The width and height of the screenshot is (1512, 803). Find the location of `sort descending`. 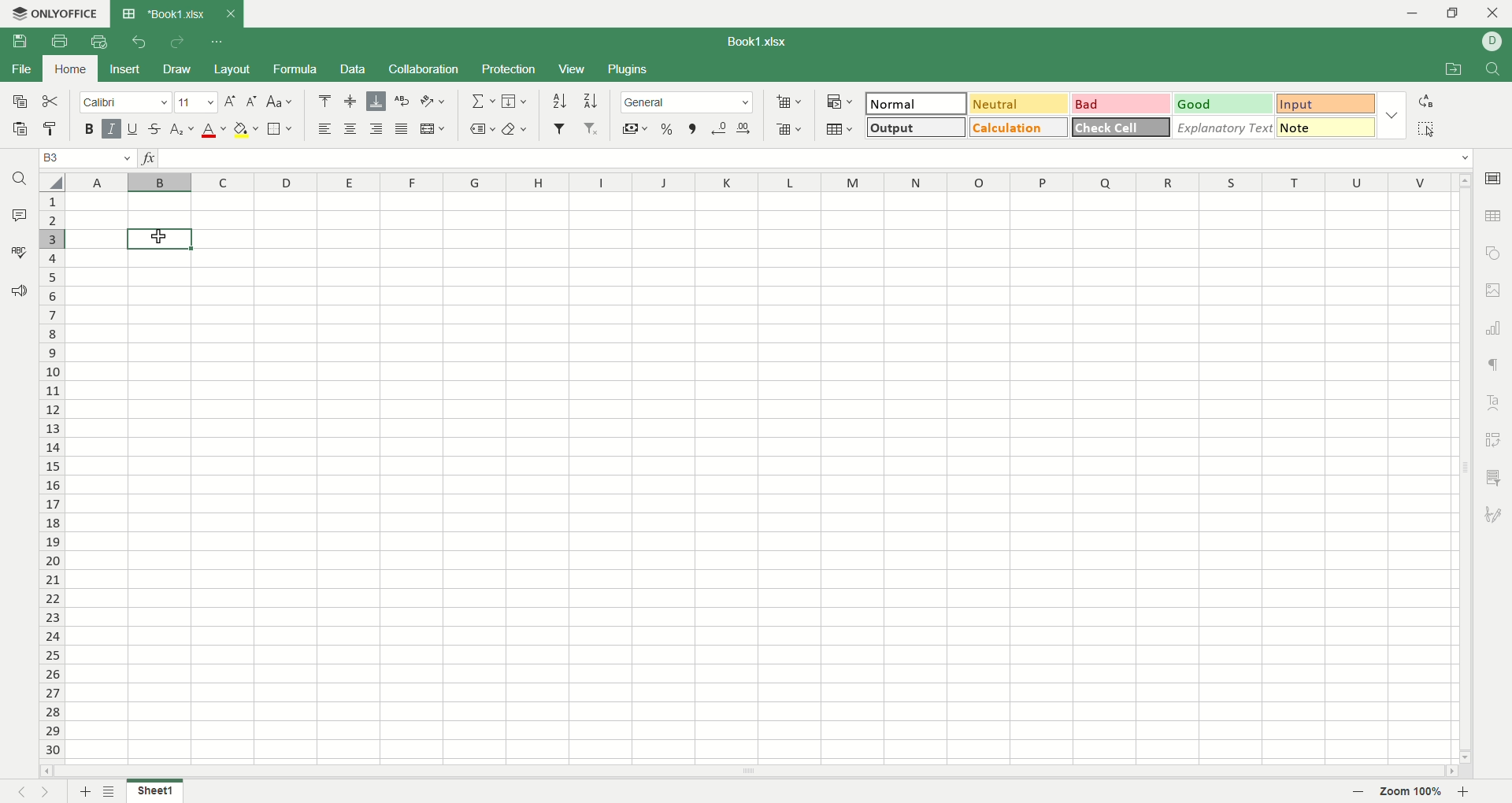

sort descending is located at coordinates (589, 100).